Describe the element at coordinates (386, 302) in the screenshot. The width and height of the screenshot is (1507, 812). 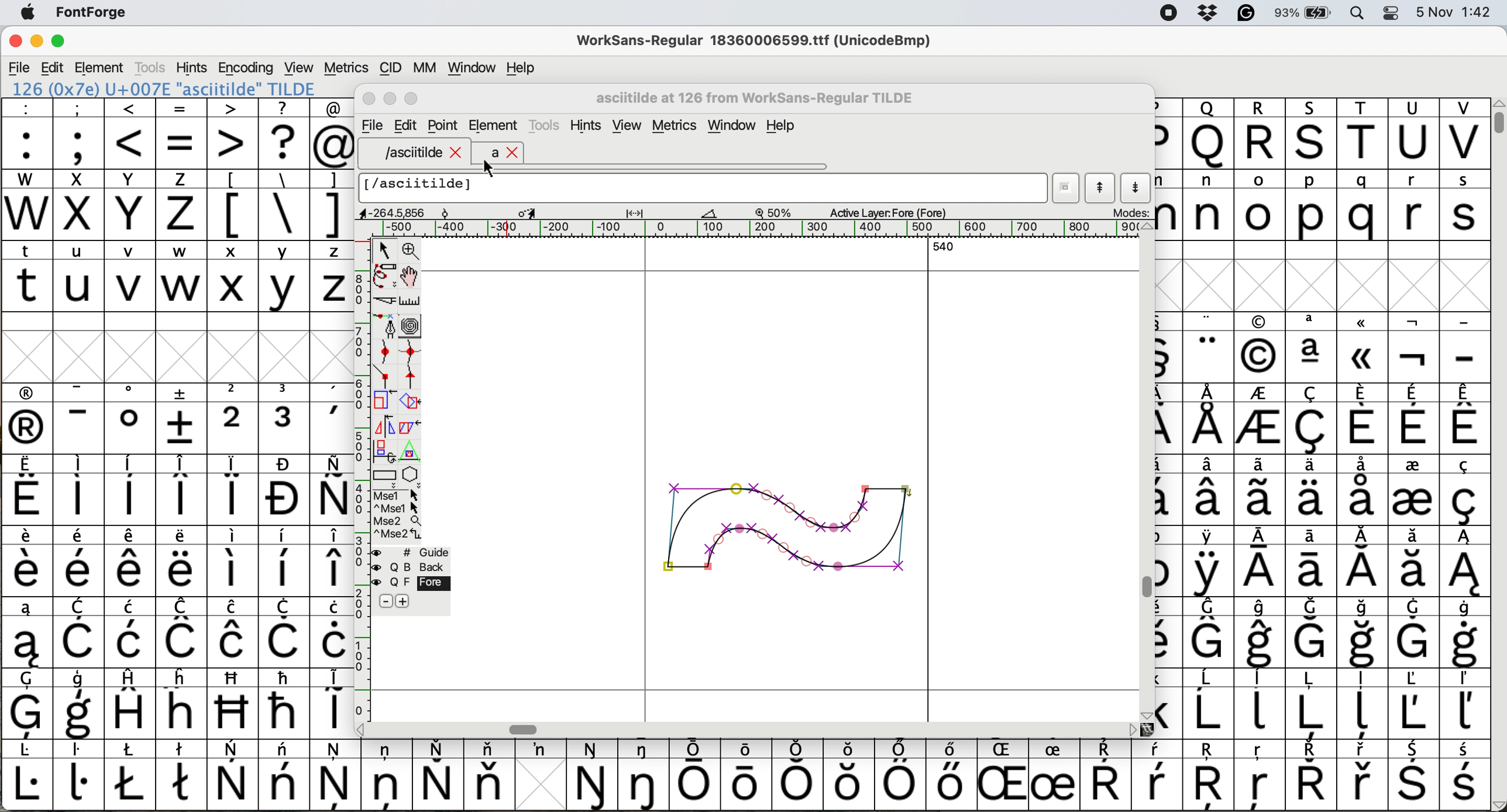
I see `cut splines in two` at that location.